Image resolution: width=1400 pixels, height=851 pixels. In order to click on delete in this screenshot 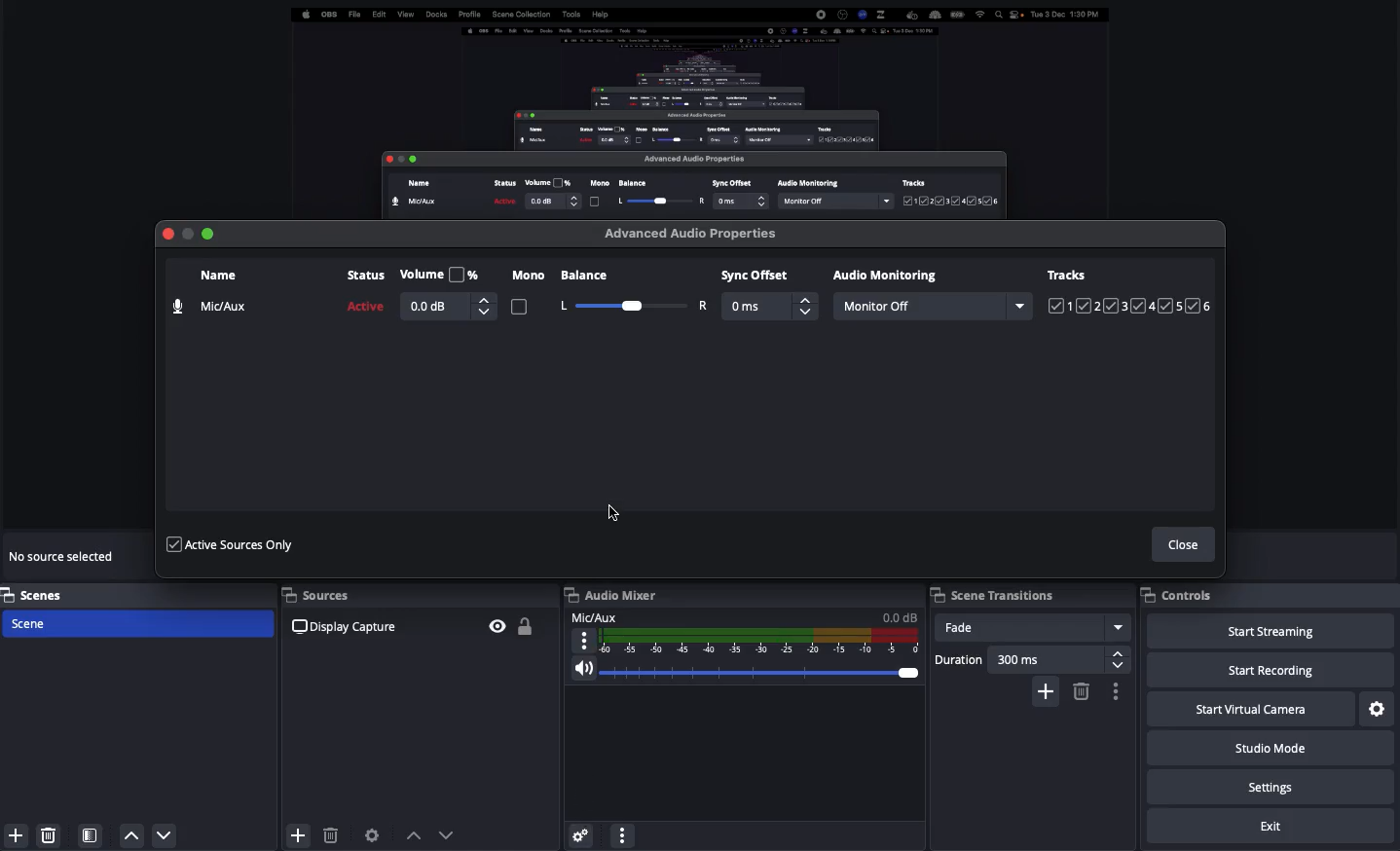, I will do `click(327, 838)`.